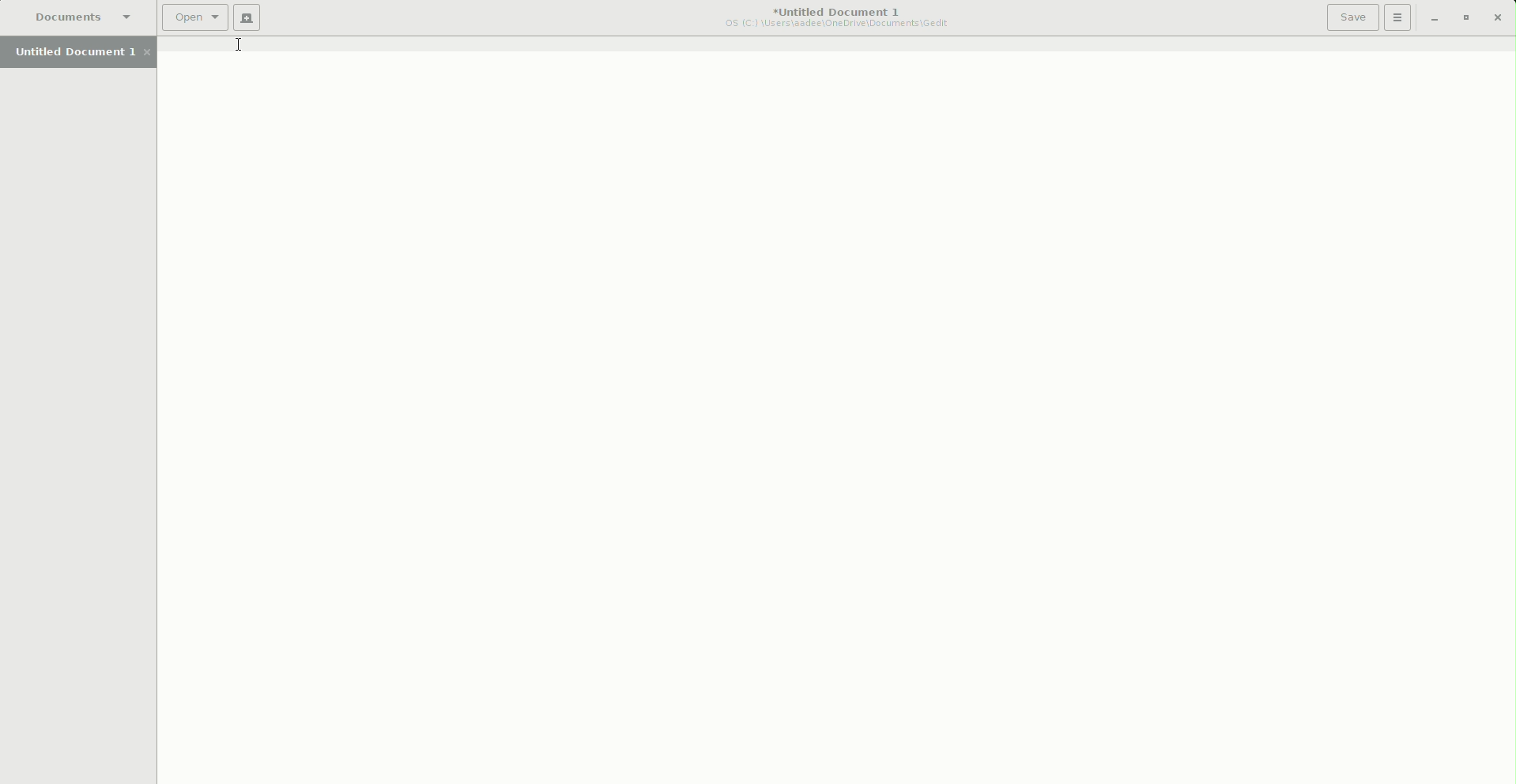 This screenshot has height=784, width=1516. Describe the element at coordinates (839, 15) in the screenshot. I see `Untitled Document 1` at that location.